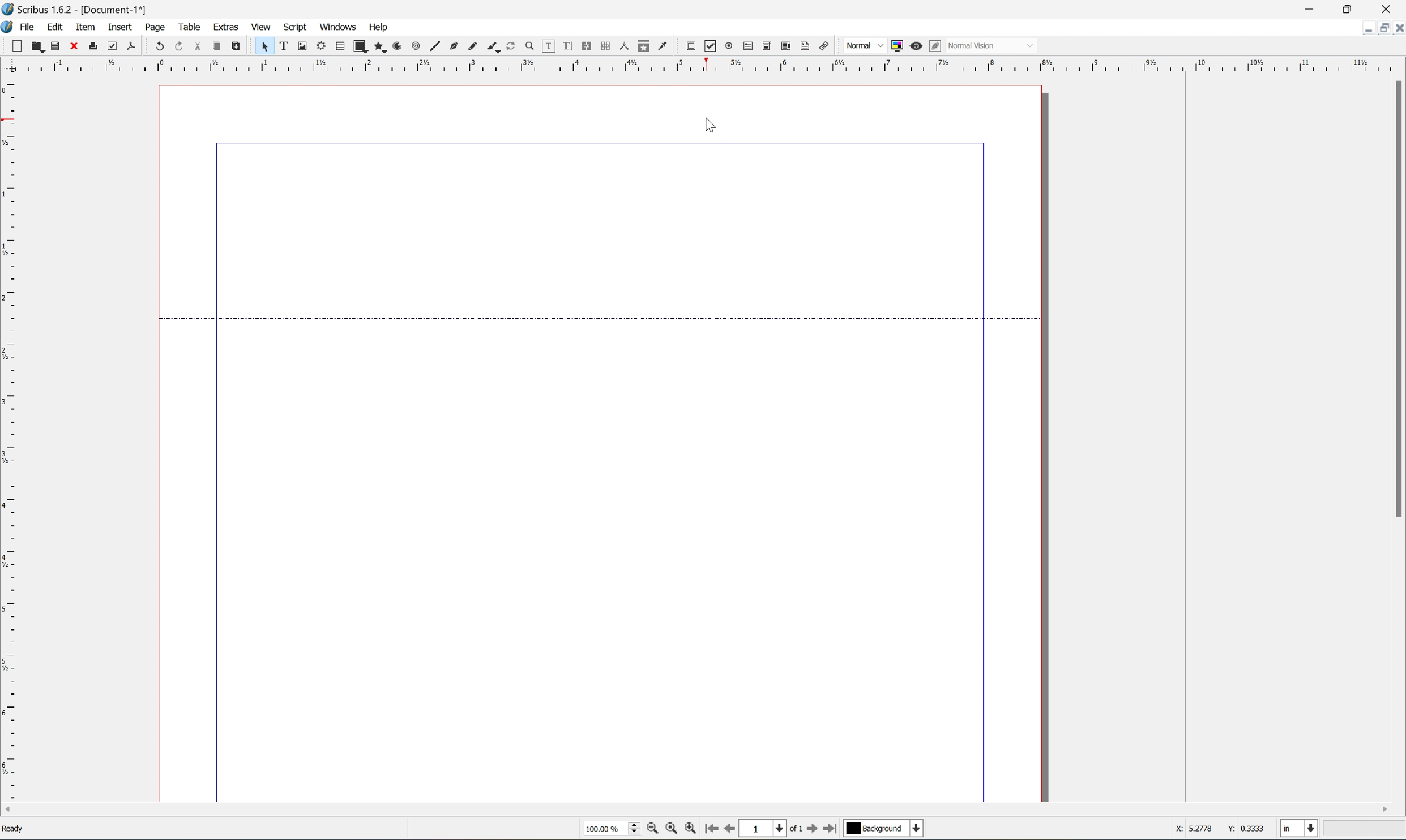  Describe the element at coordinates (378, 46) in the screenshot. I see `polygon` at that location.